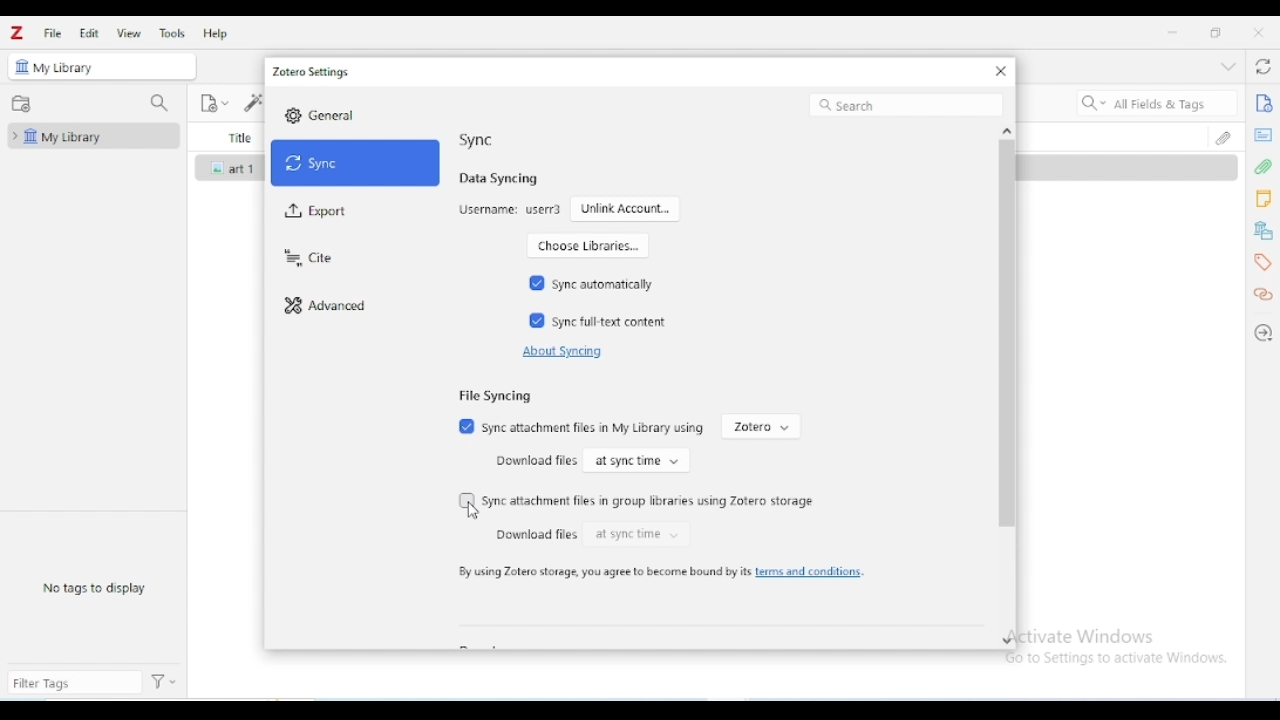 The image size is (1280, 720). What do you see at coordinates (594, 428) in the screenshot?
I see `sync attachment files in My library using` at bounding box center [594, 428].